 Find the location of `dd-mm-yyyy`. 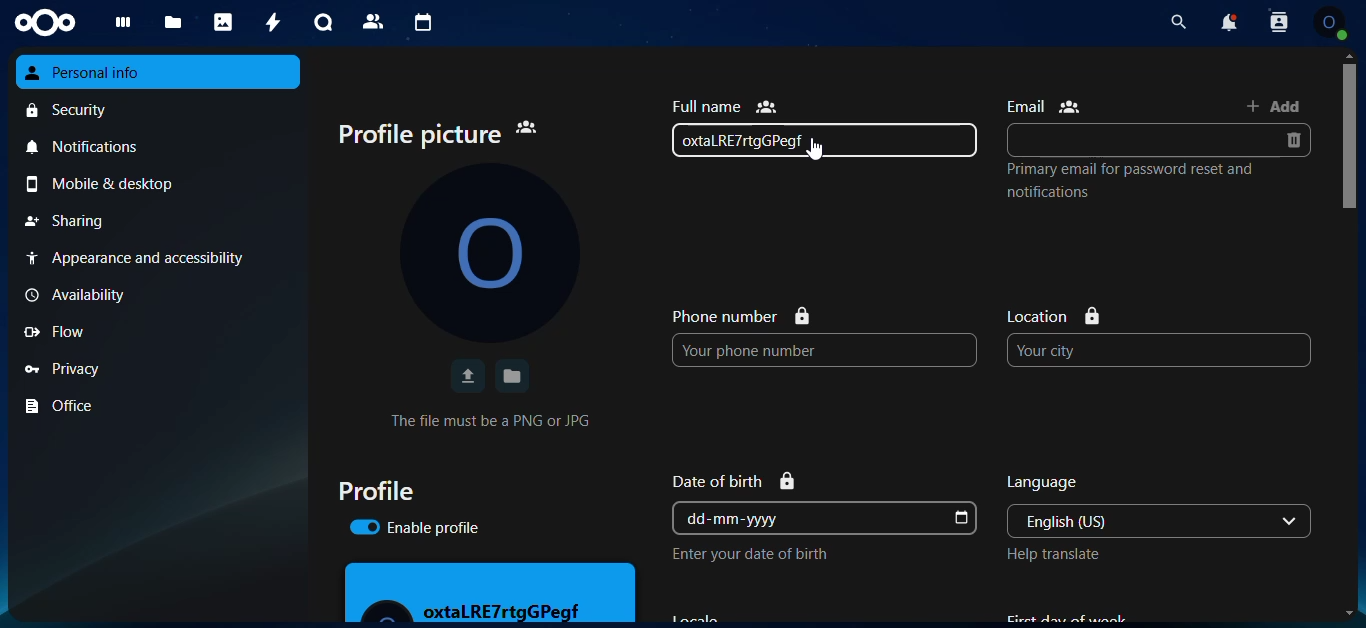

dd-mm-yyyy is located at coordinates (809, 518).